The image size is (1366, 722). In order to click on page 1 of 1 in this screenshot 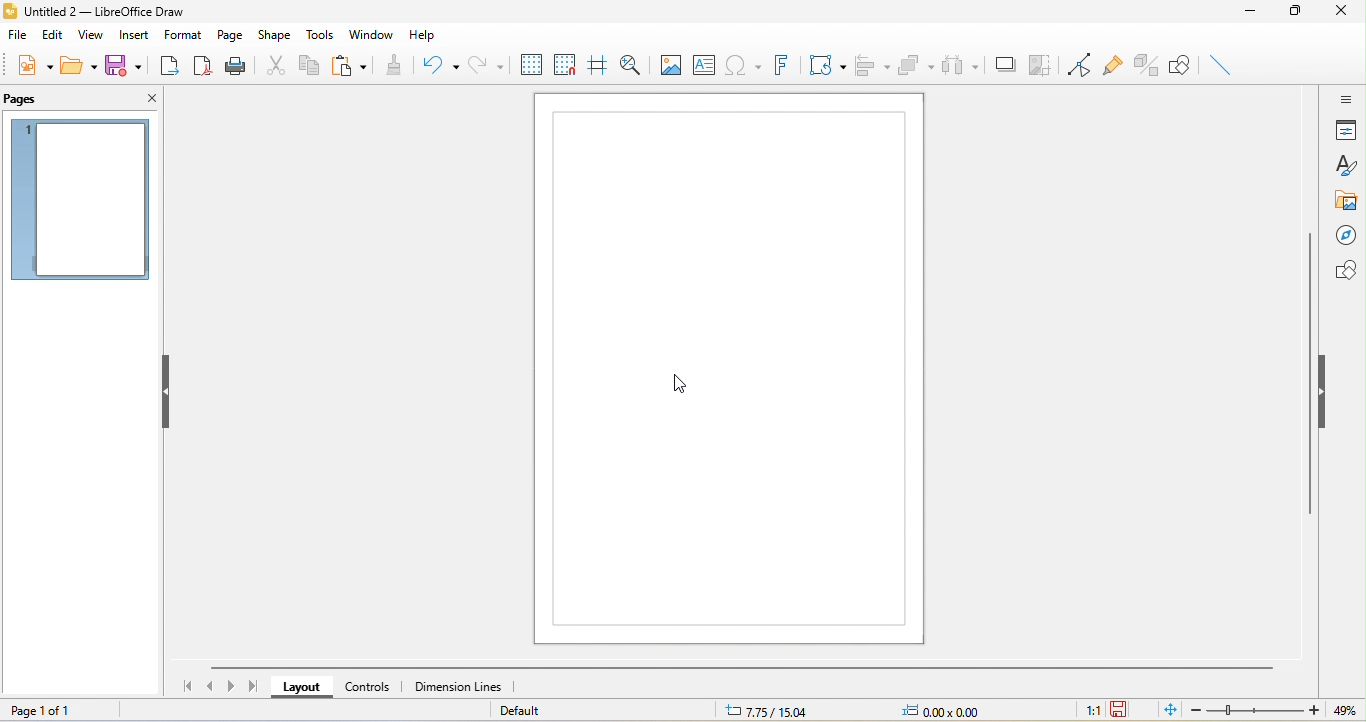, I will do `click(61, 711)`.